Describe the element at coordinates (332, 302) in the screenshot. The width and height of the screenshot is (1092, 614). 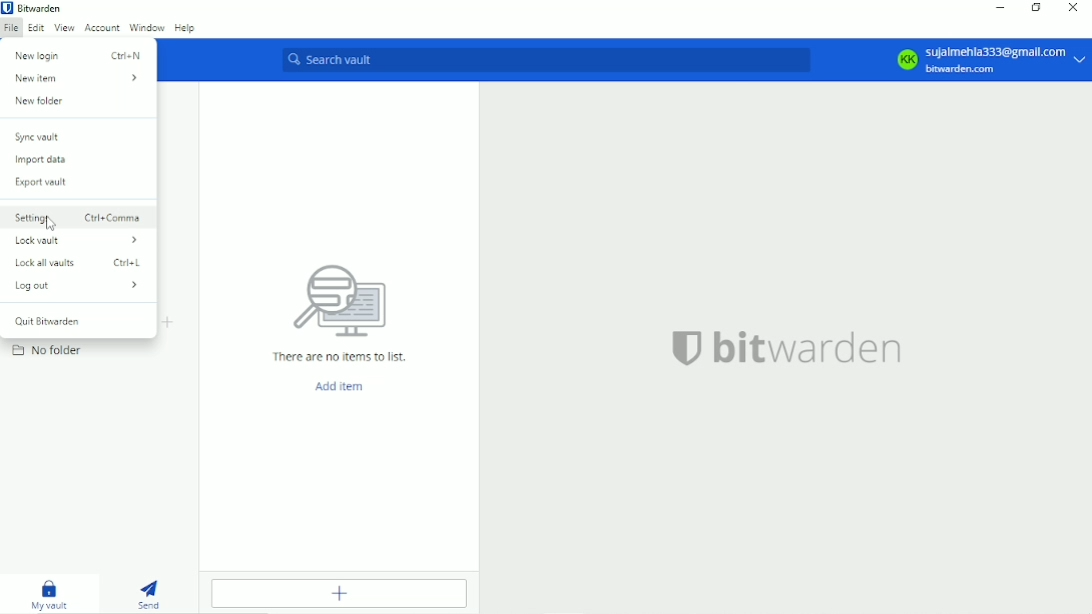
I see `computer icon` at that location.